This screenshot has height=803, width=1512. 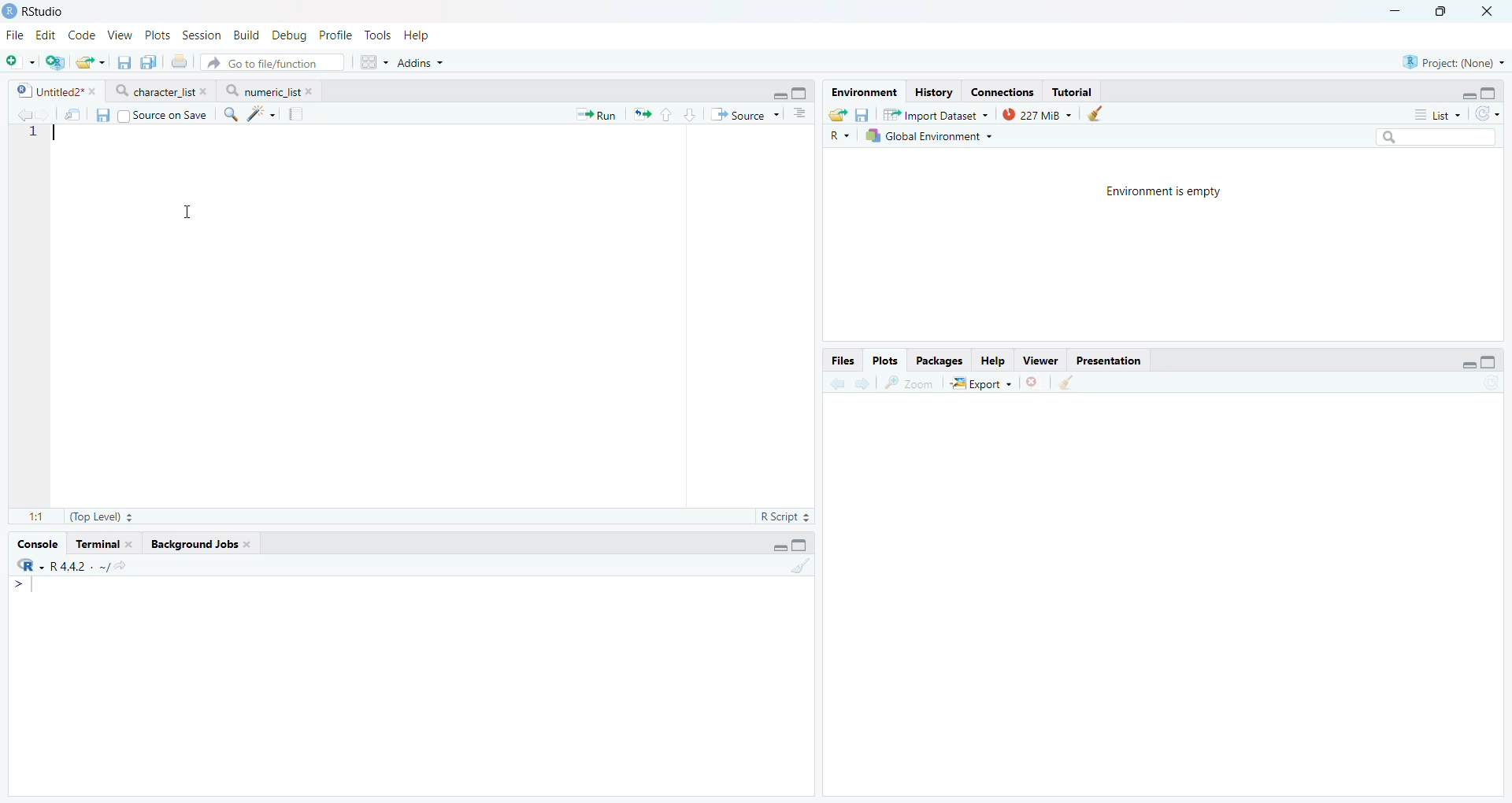 What do you see at coordinates (913, 383) in the screenshot?
I see `Zoom` at bounding box center [913, 383].